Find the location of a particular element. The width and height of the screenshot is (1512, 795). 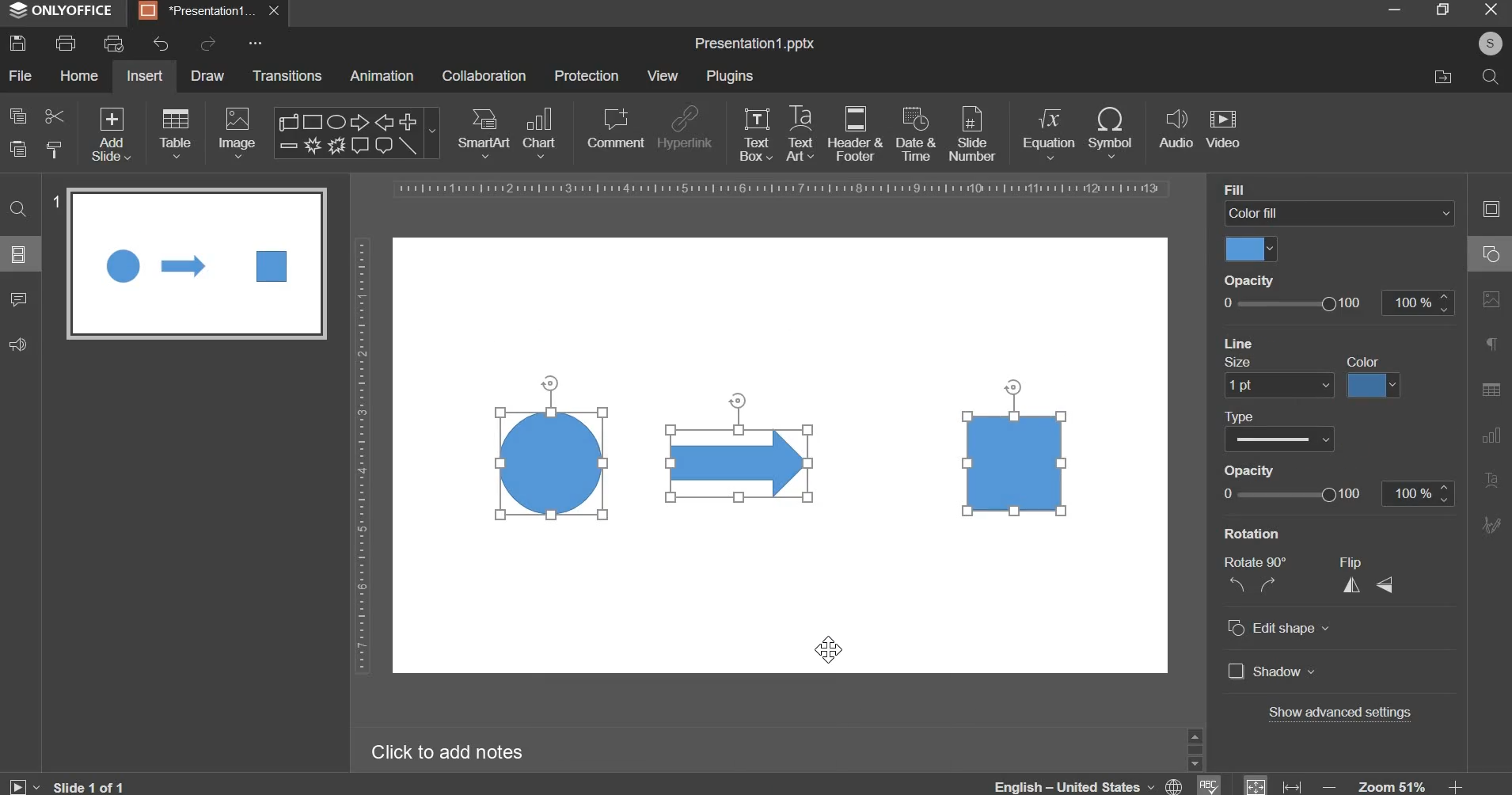

flip horizontal is located at coordinates (1357, 584).